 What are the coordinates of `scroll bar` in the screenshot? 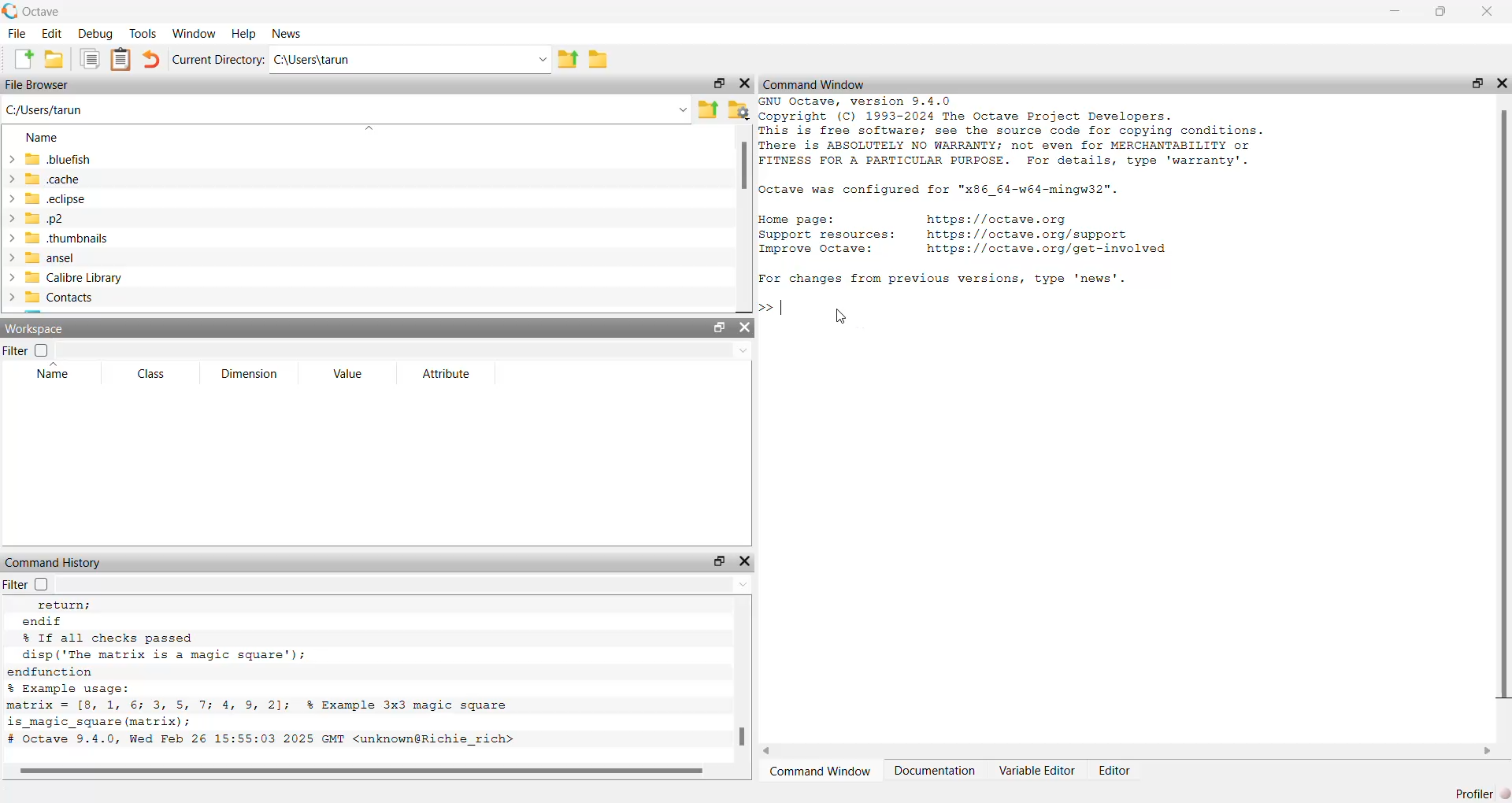 It's located at (361, 772).